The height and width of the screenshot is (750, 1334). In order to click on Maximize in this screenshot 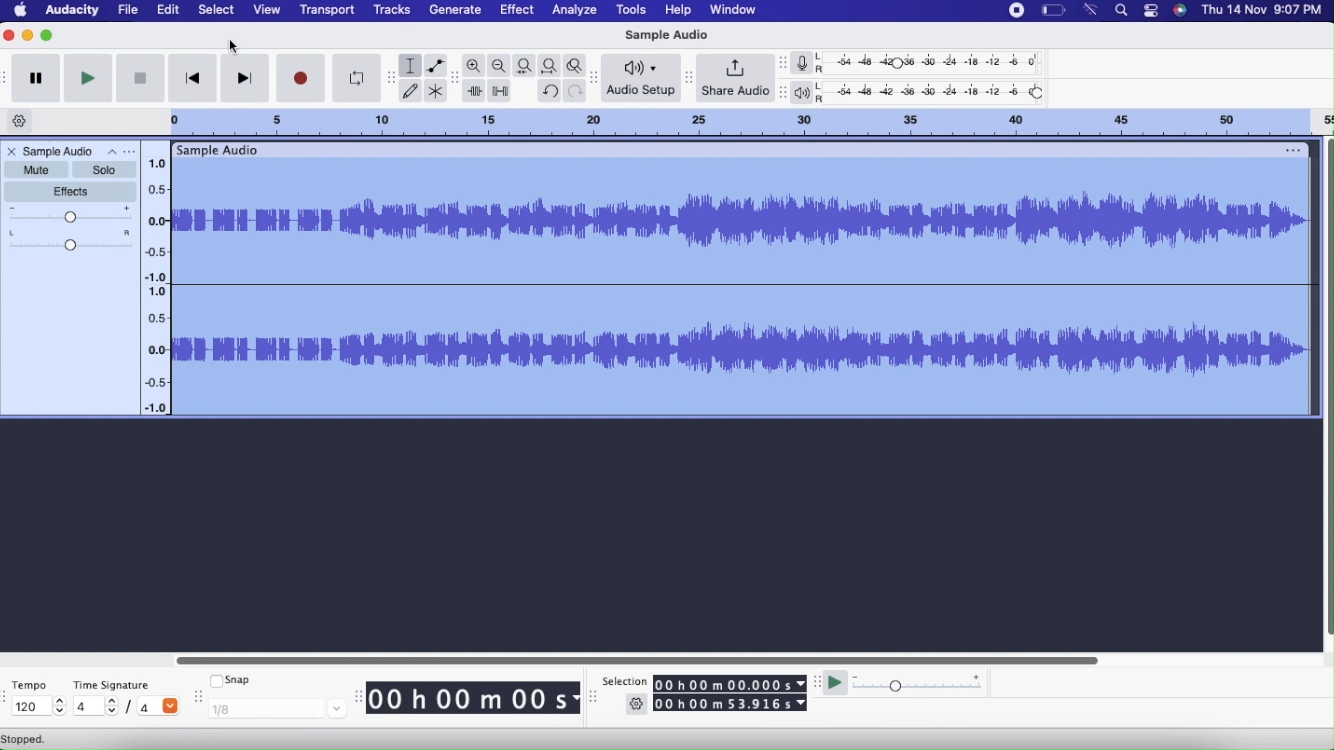, I will do `click(49, 33)`.